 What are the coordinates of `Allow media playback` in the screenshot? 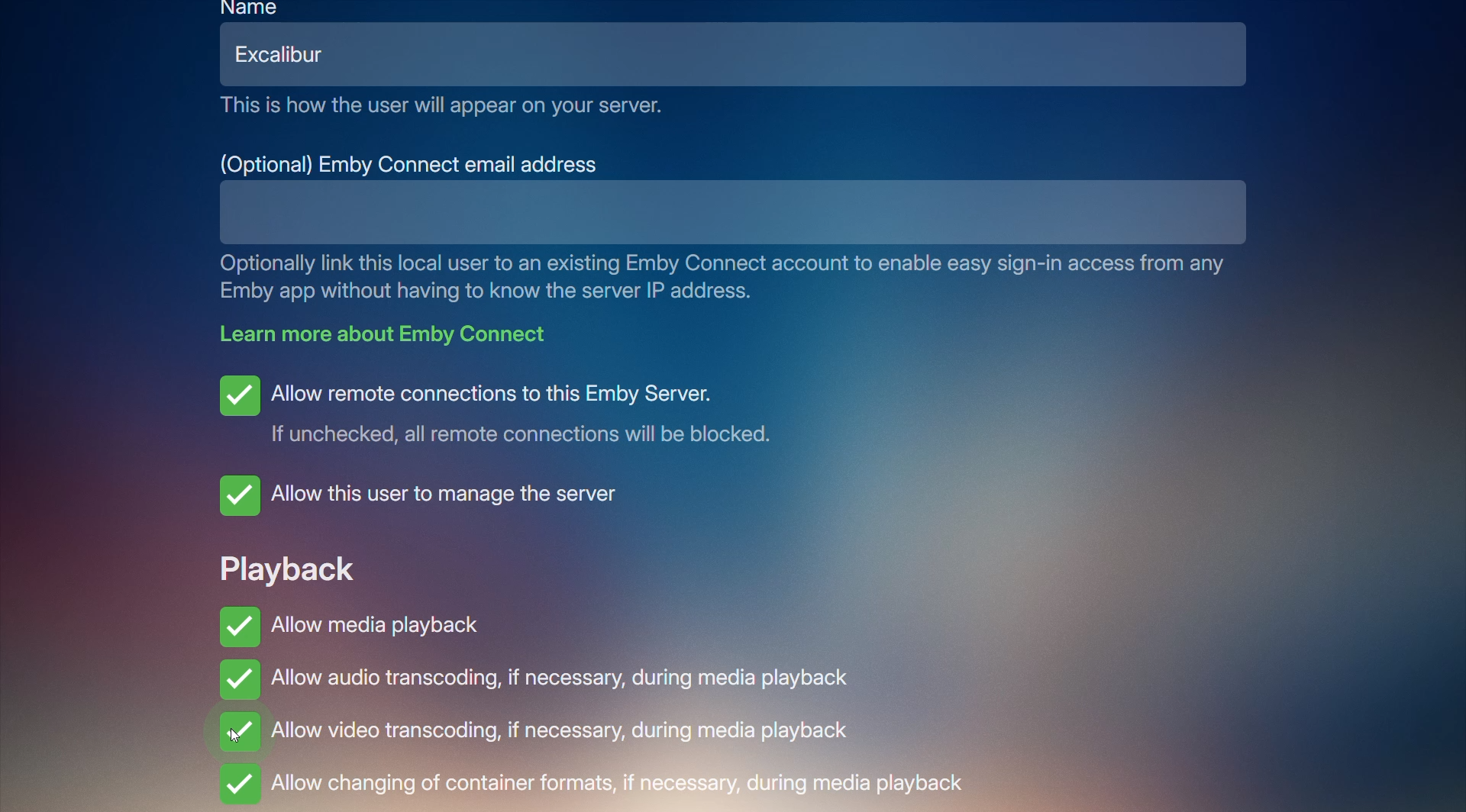 It's located at (350, 621).